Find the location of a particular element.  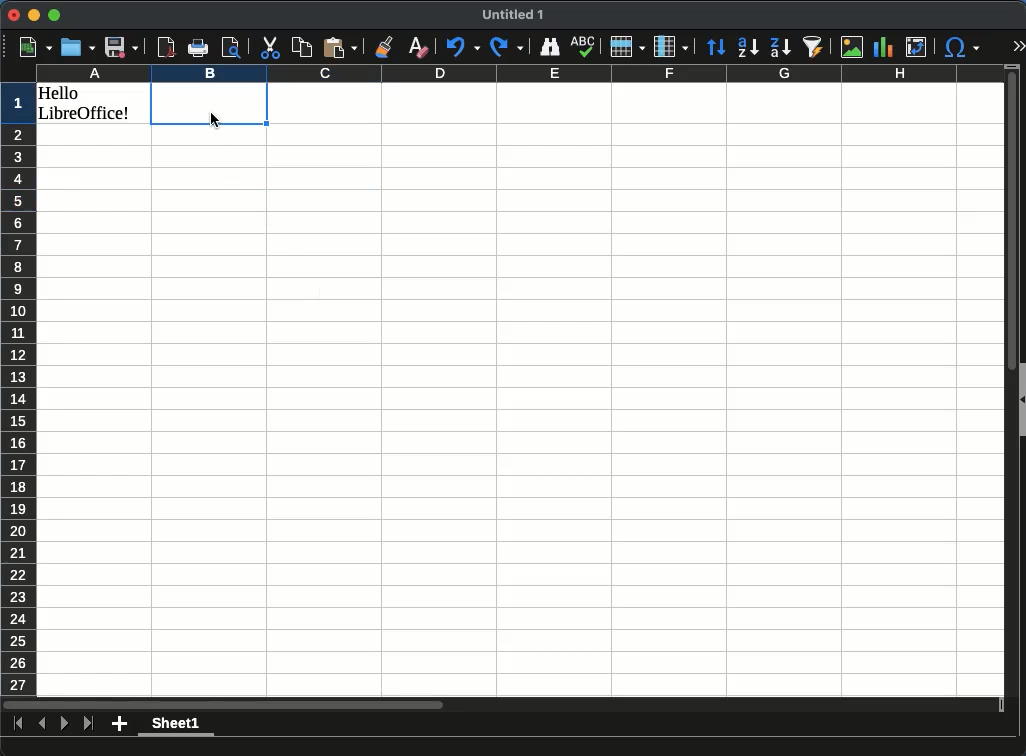

pivot table is located at coordinates (914, 45).